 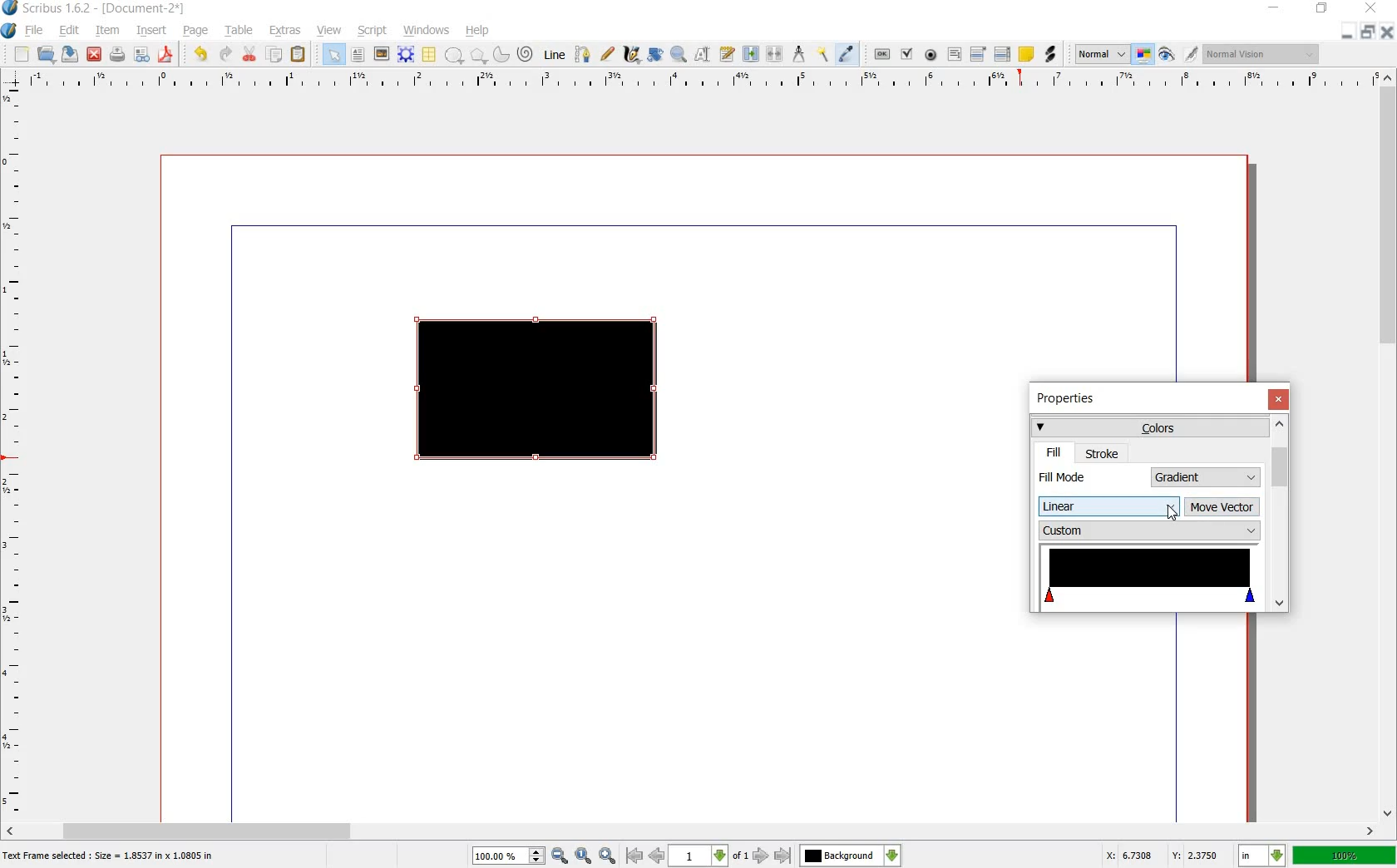 What do you see at coordinates (776, 55) in the screenshot?
I see `unlink text frame` at bounding box center [776, 55].